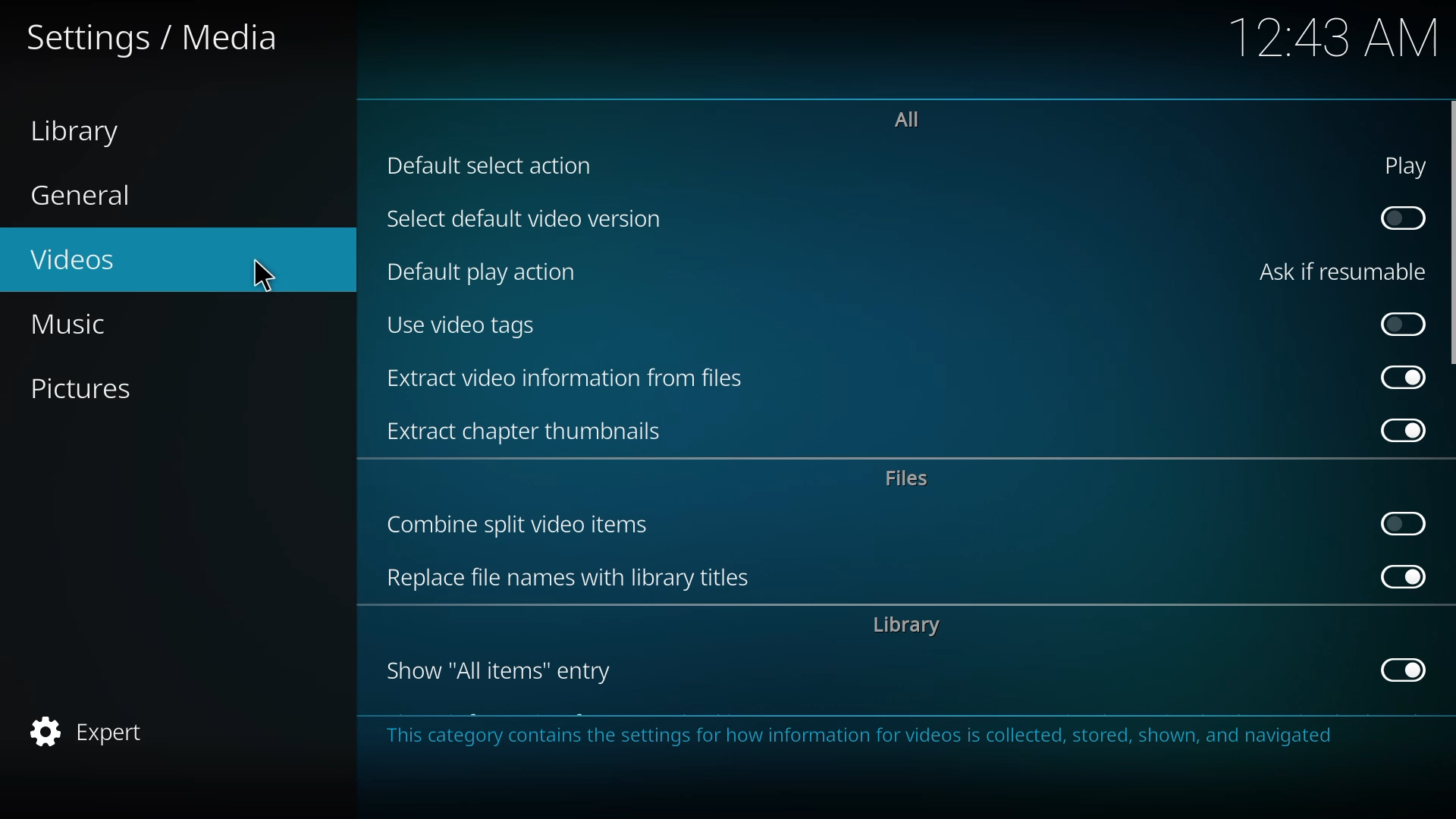  I want to click on play, so click(1407, 165).